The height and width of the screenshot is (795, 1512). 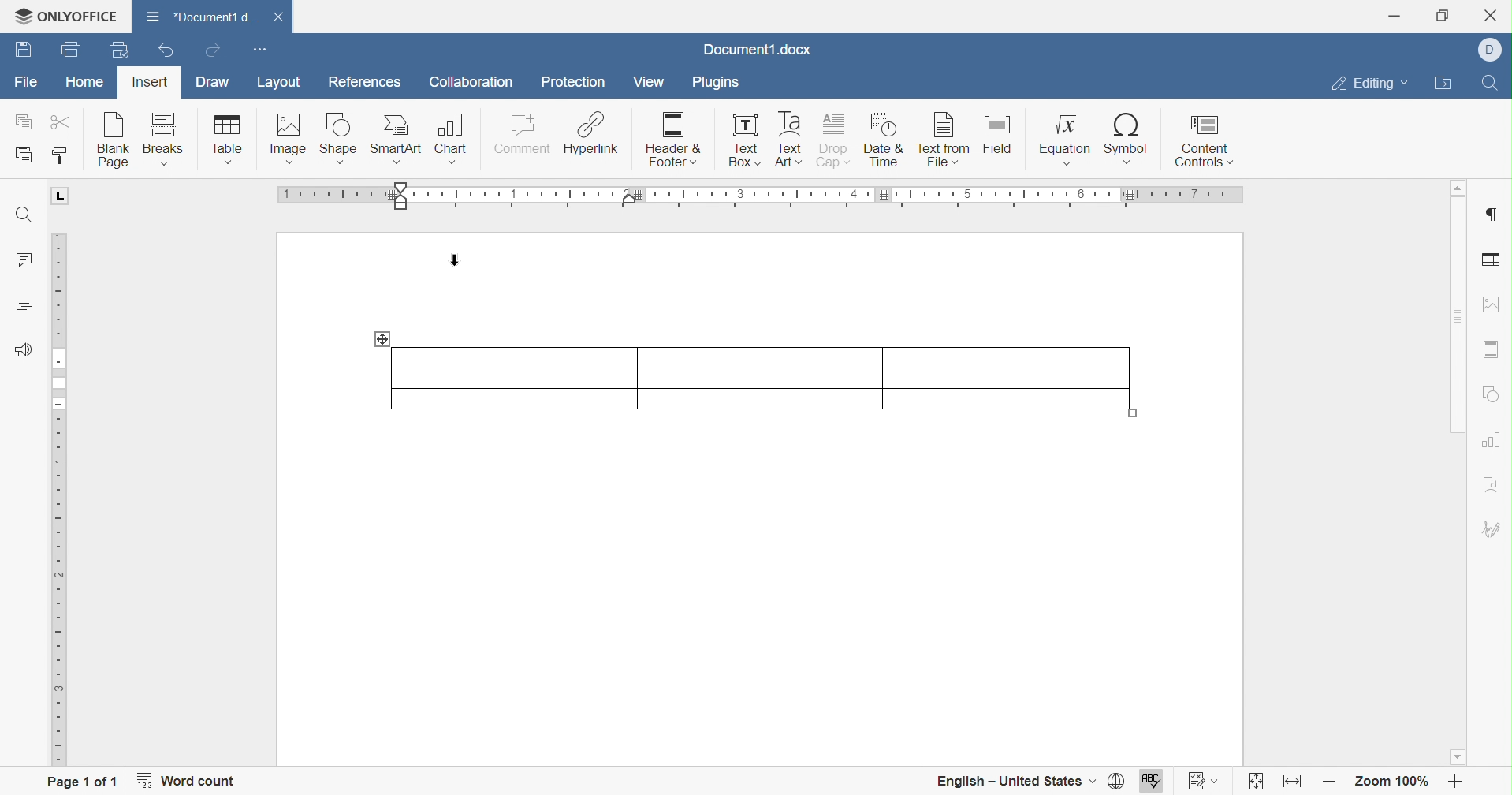 I want to click on Chart, so click(x=453, y=139).